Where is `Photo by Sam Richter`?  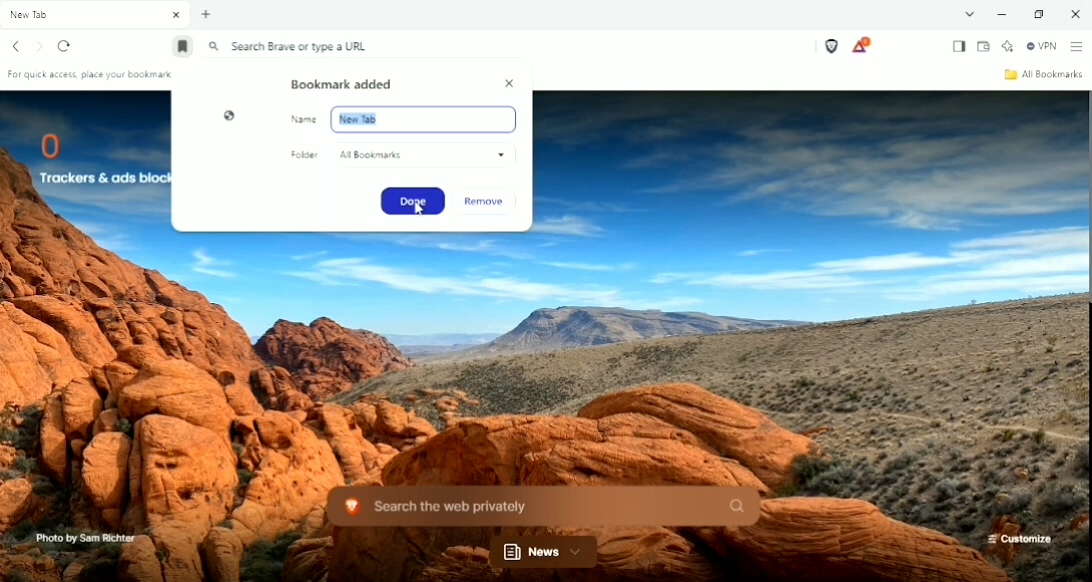 Photo by Sam Richter is located at coordinates (83, 538).